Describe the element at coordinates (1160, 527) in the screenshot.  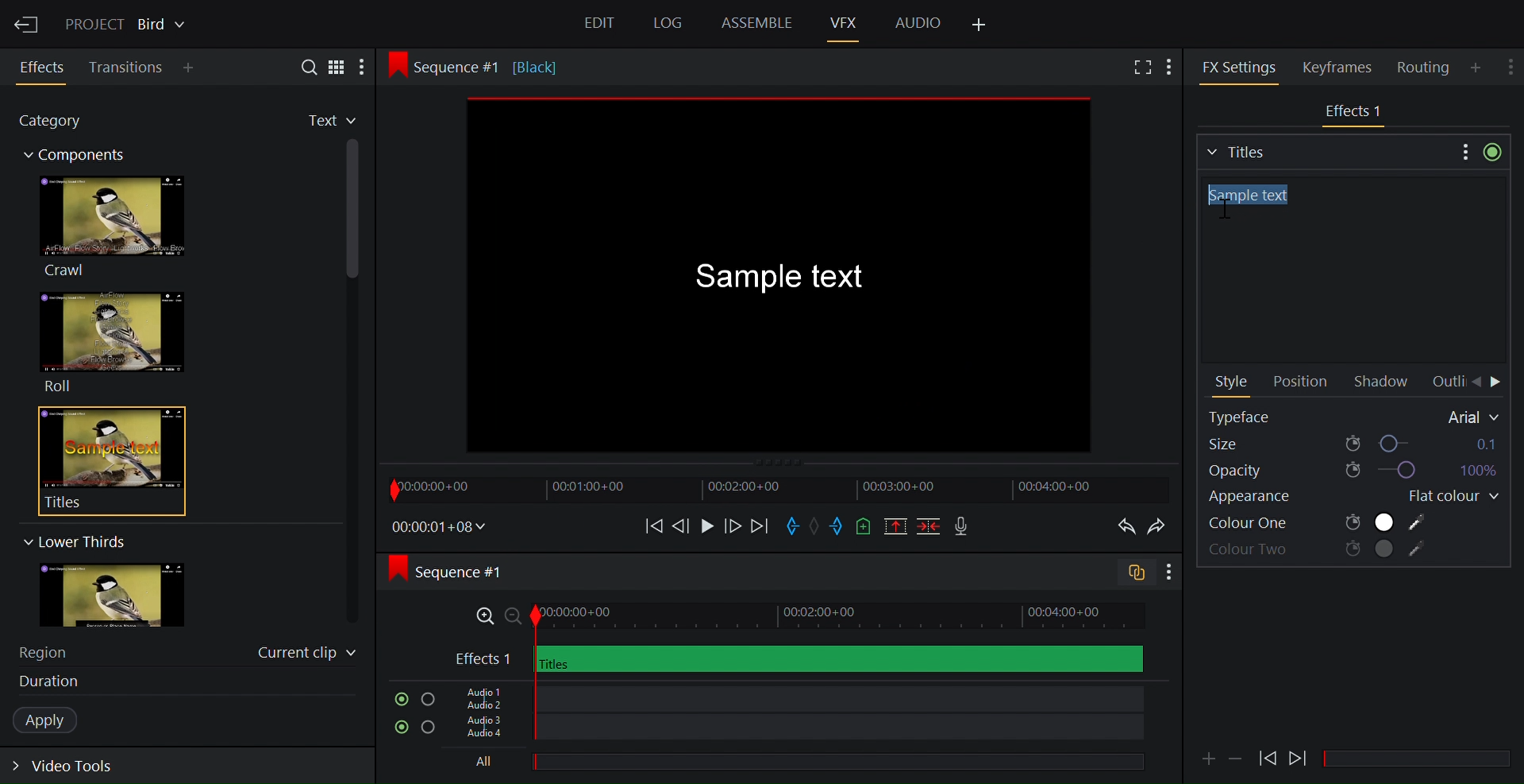
I see `Redo` at that location.